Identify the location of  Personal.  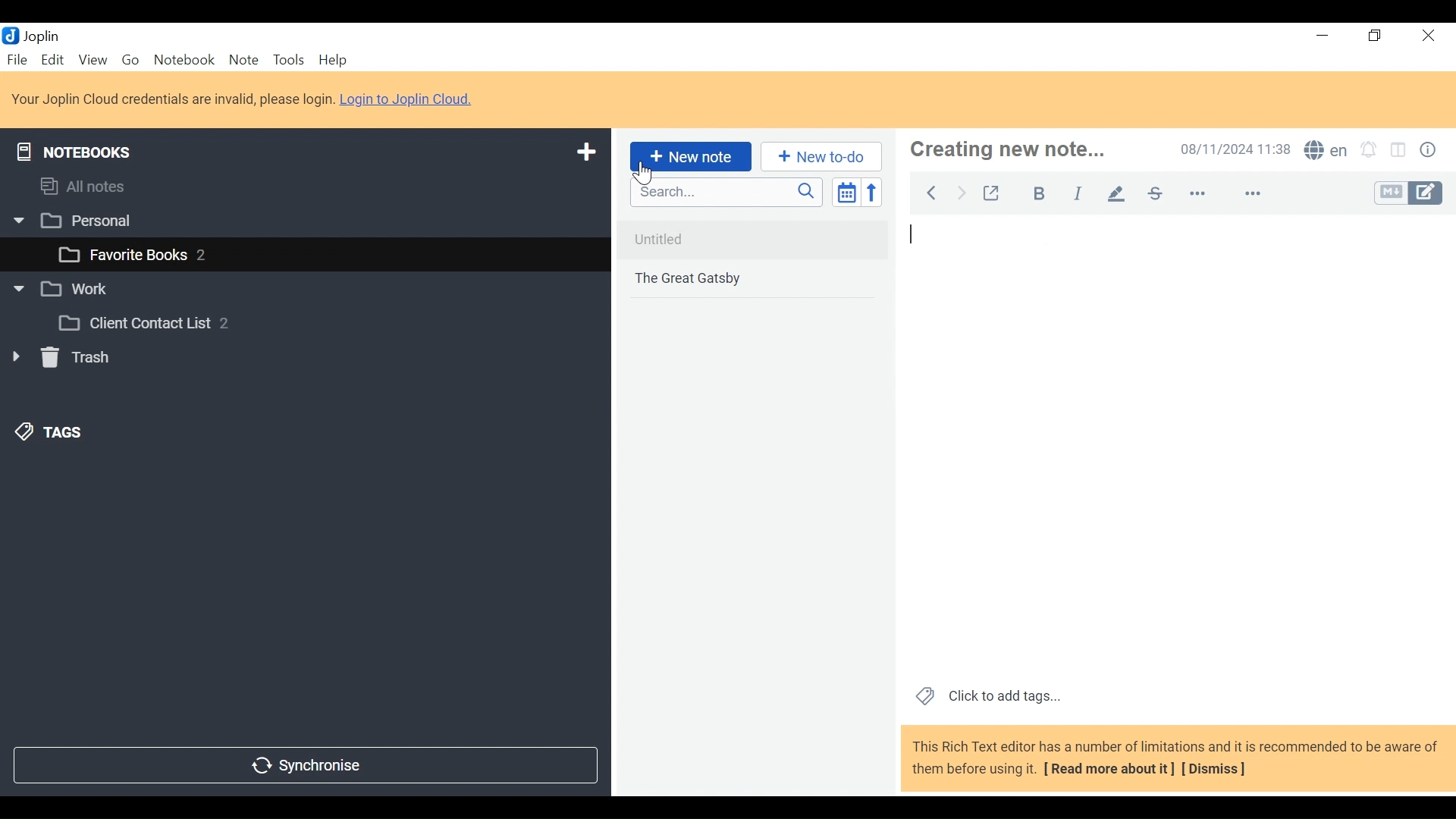
(71, 221).